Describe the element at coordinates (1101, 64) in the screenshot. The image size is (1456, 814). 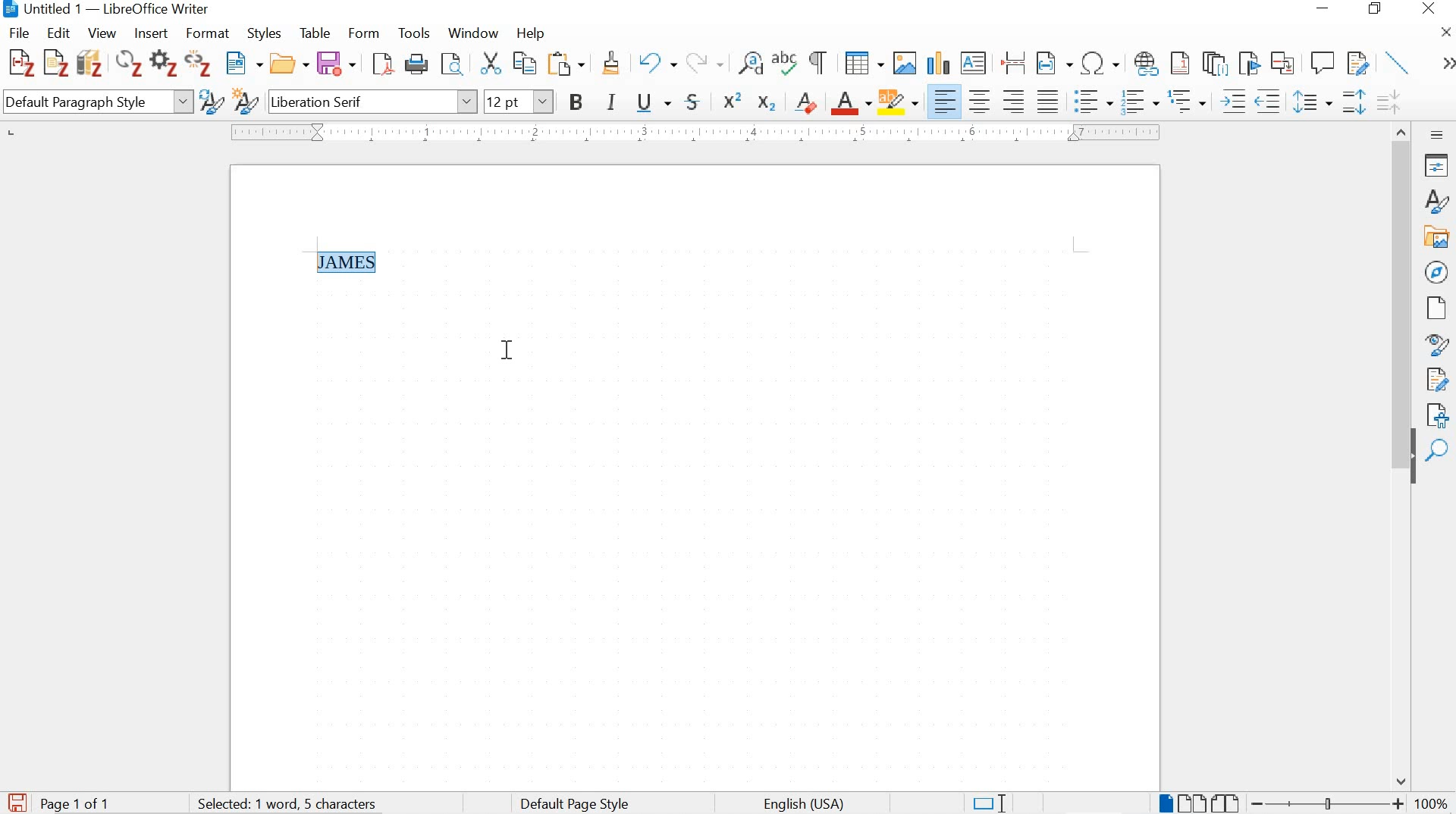
I see `insert special characters` at that location.